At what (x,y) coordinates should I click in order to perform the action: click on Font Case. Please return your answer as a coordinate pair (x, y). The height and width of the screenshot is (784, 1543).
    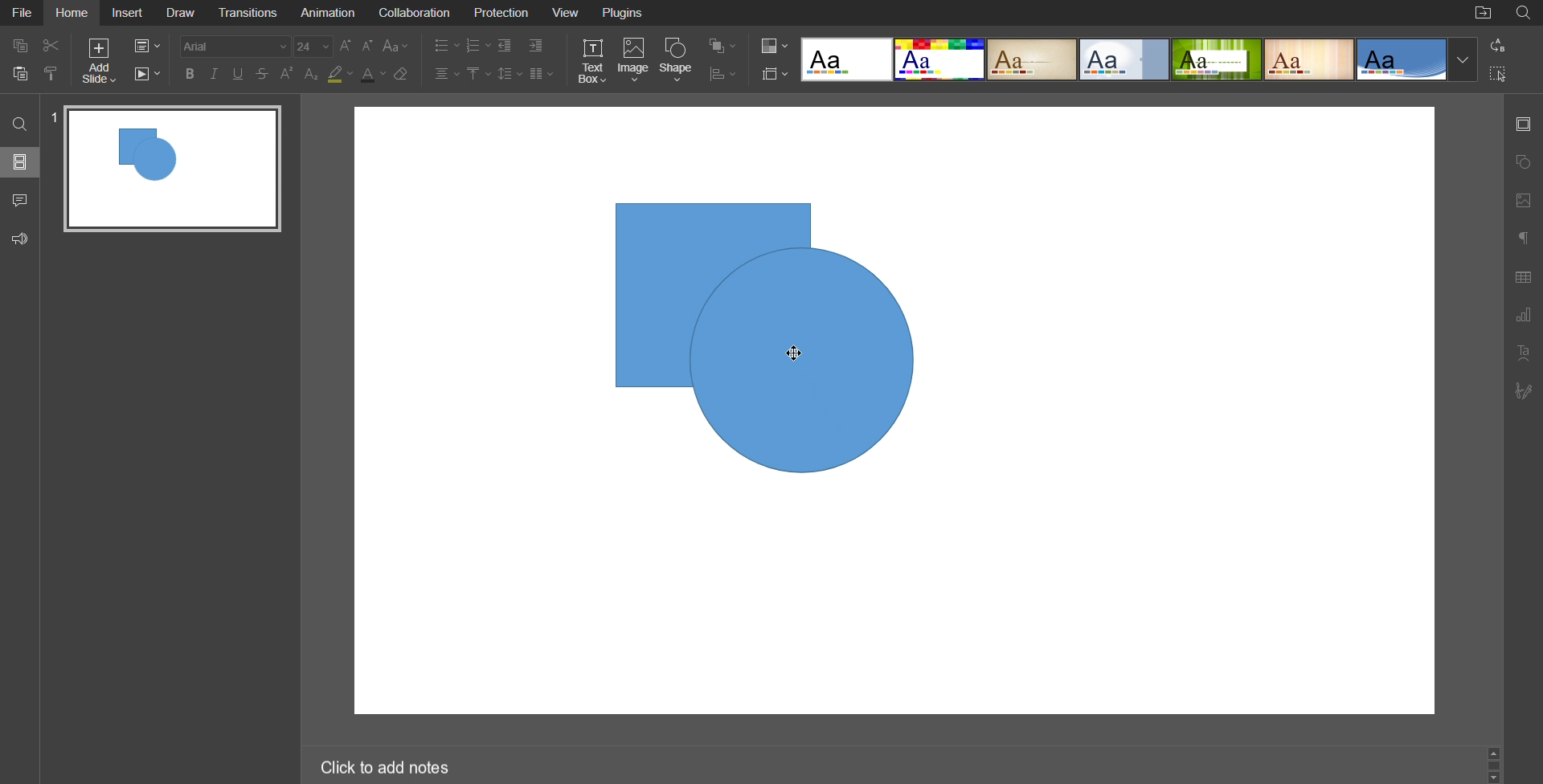
    Looking at the image, I should click on (398, 46).